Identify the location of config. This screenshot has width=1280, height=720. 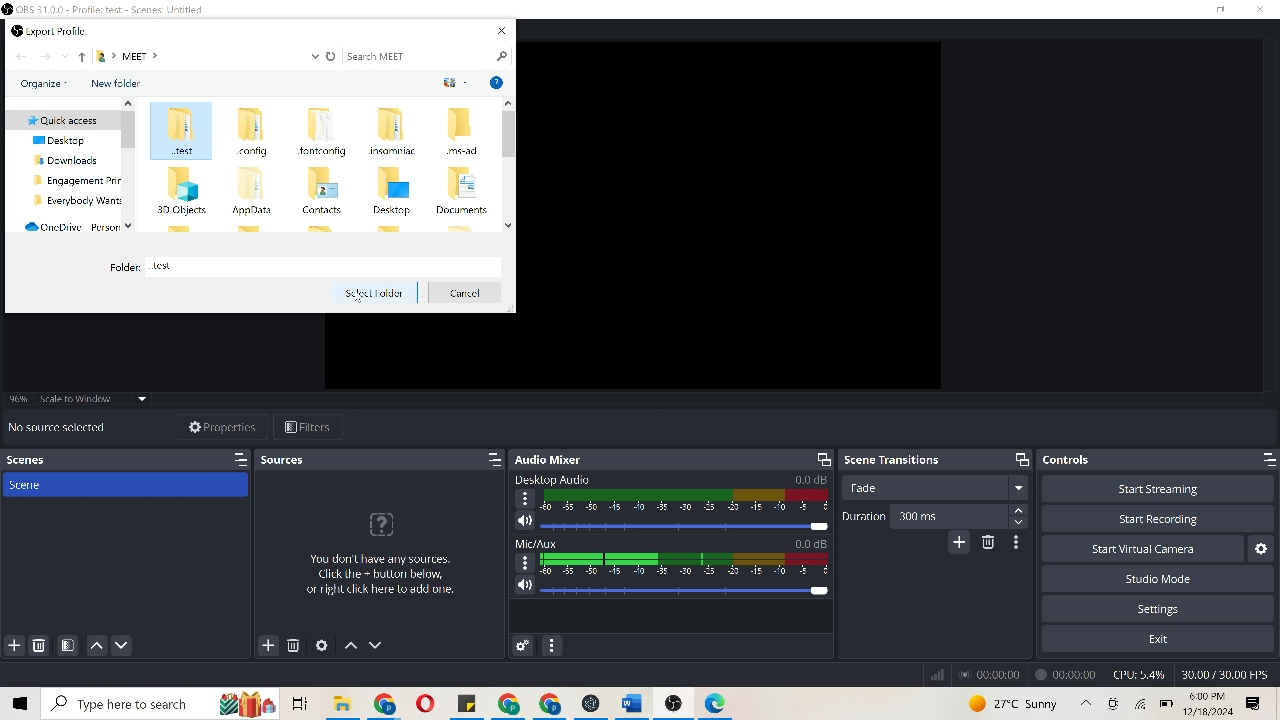
(248, 134).